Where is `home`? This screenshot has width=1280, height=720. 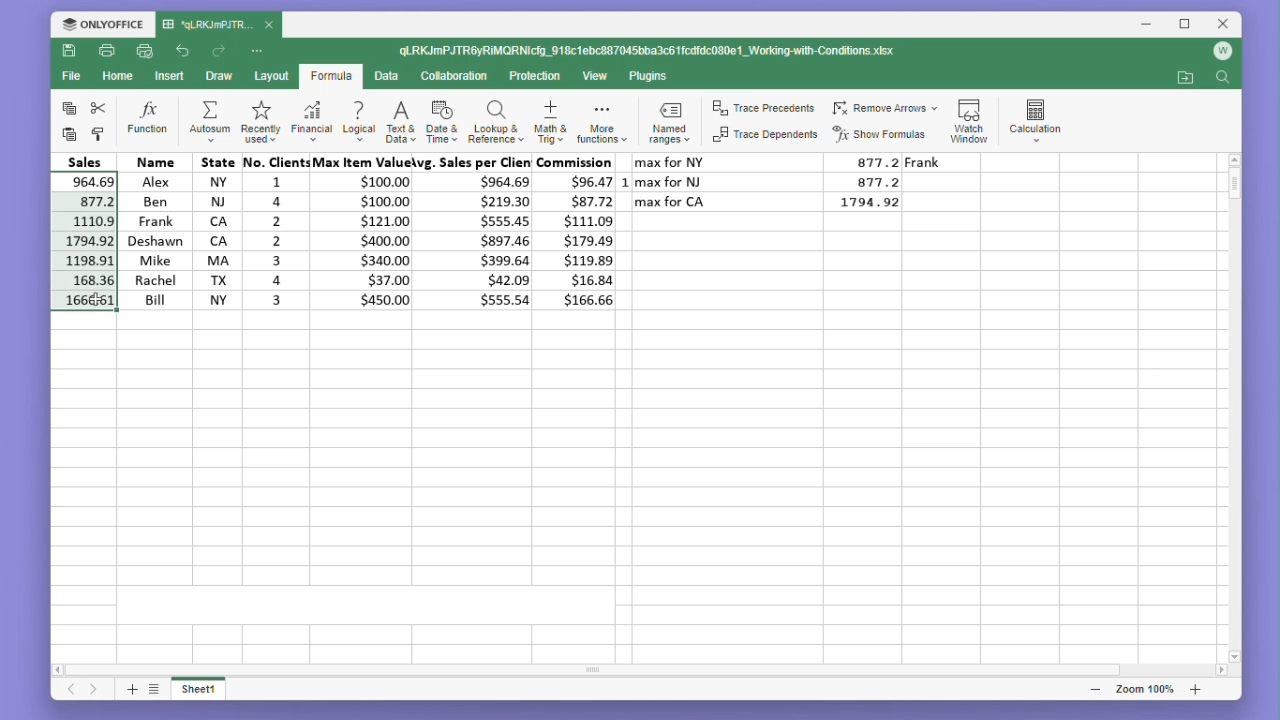
home is located at coordinates (114, 75).